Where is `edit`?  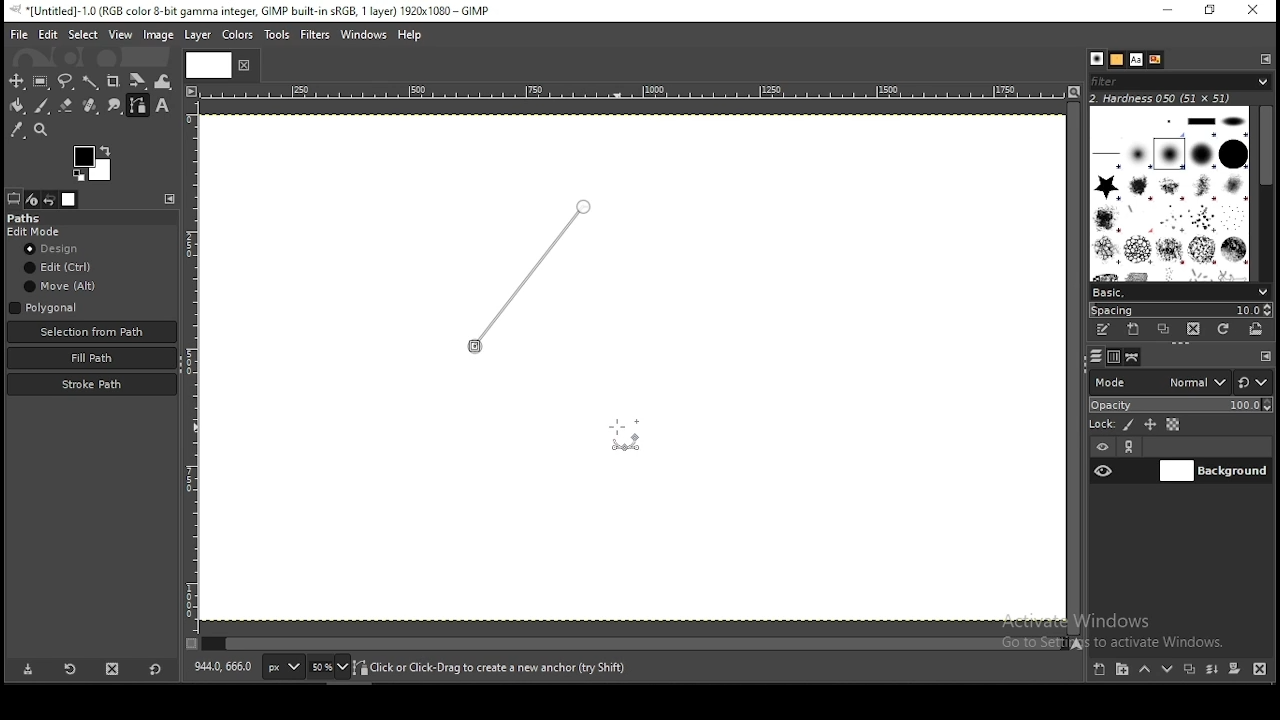 edit is located at coordinates (60, 268).